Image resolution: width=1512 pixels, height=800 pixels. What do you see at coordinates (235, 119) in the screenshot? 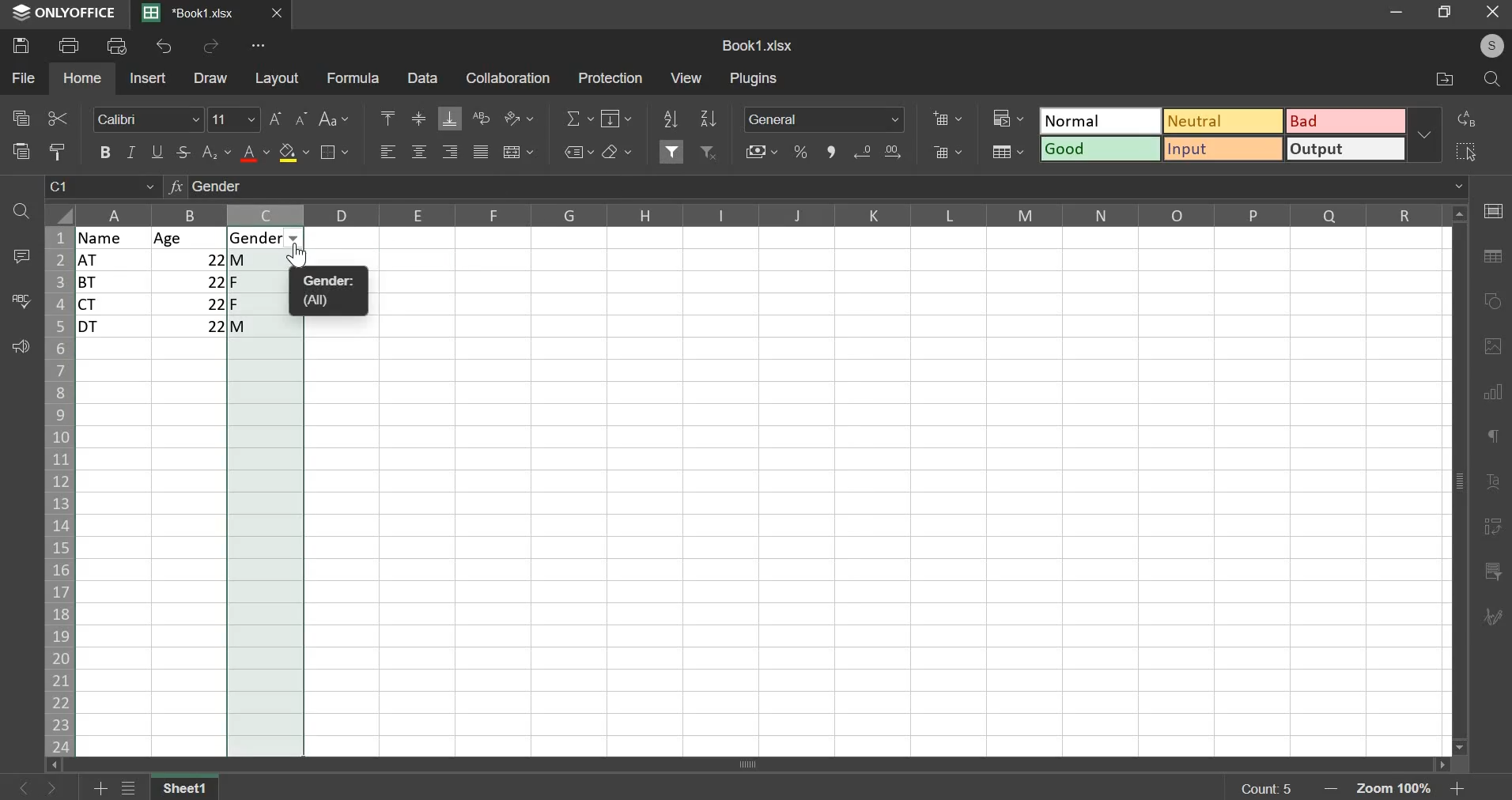
I see `font size` at bounding box center [235, 119].